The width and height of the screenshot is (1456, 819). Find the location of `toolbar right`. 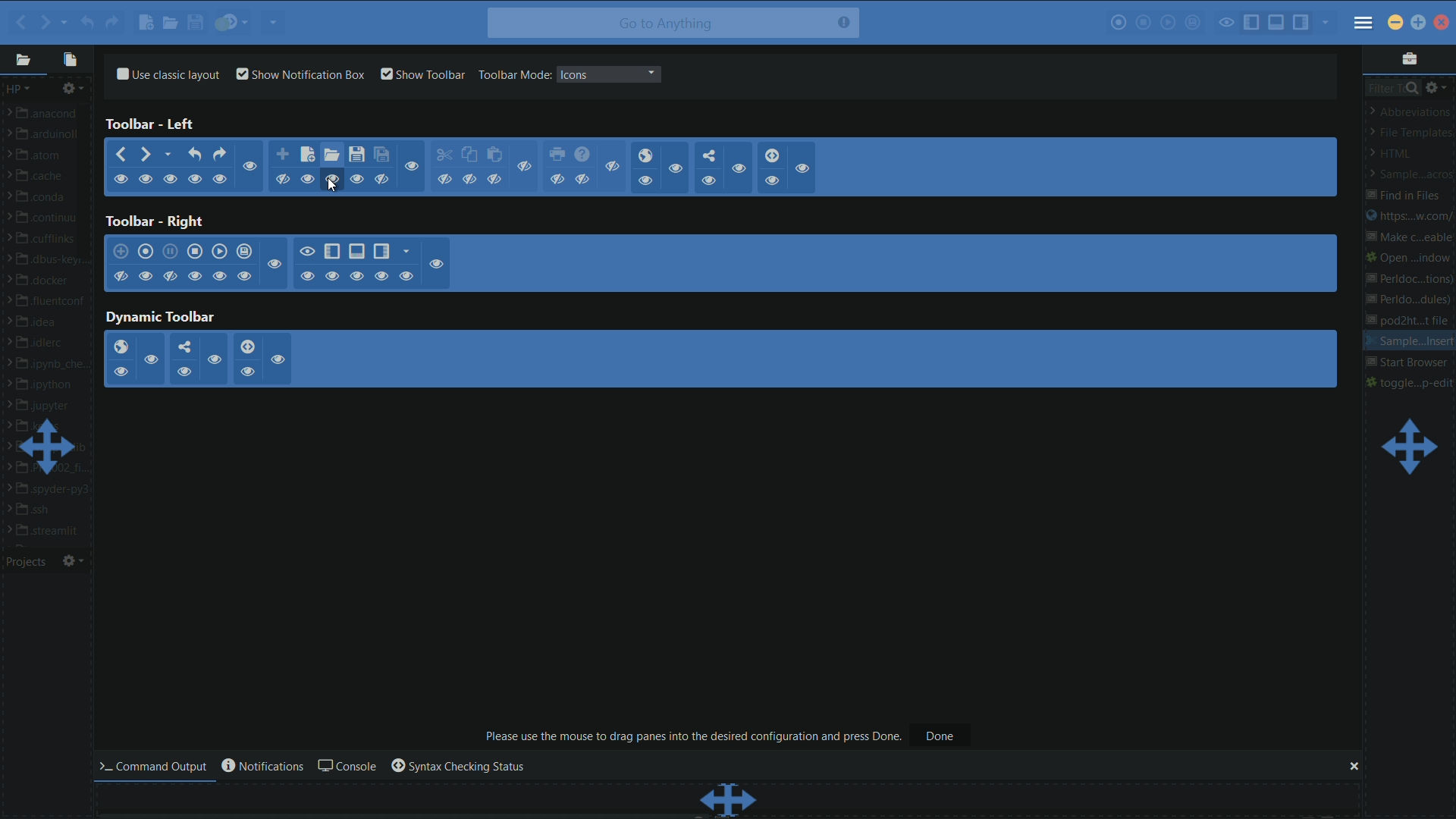

toolbar right is located at coordinates (153, 221).